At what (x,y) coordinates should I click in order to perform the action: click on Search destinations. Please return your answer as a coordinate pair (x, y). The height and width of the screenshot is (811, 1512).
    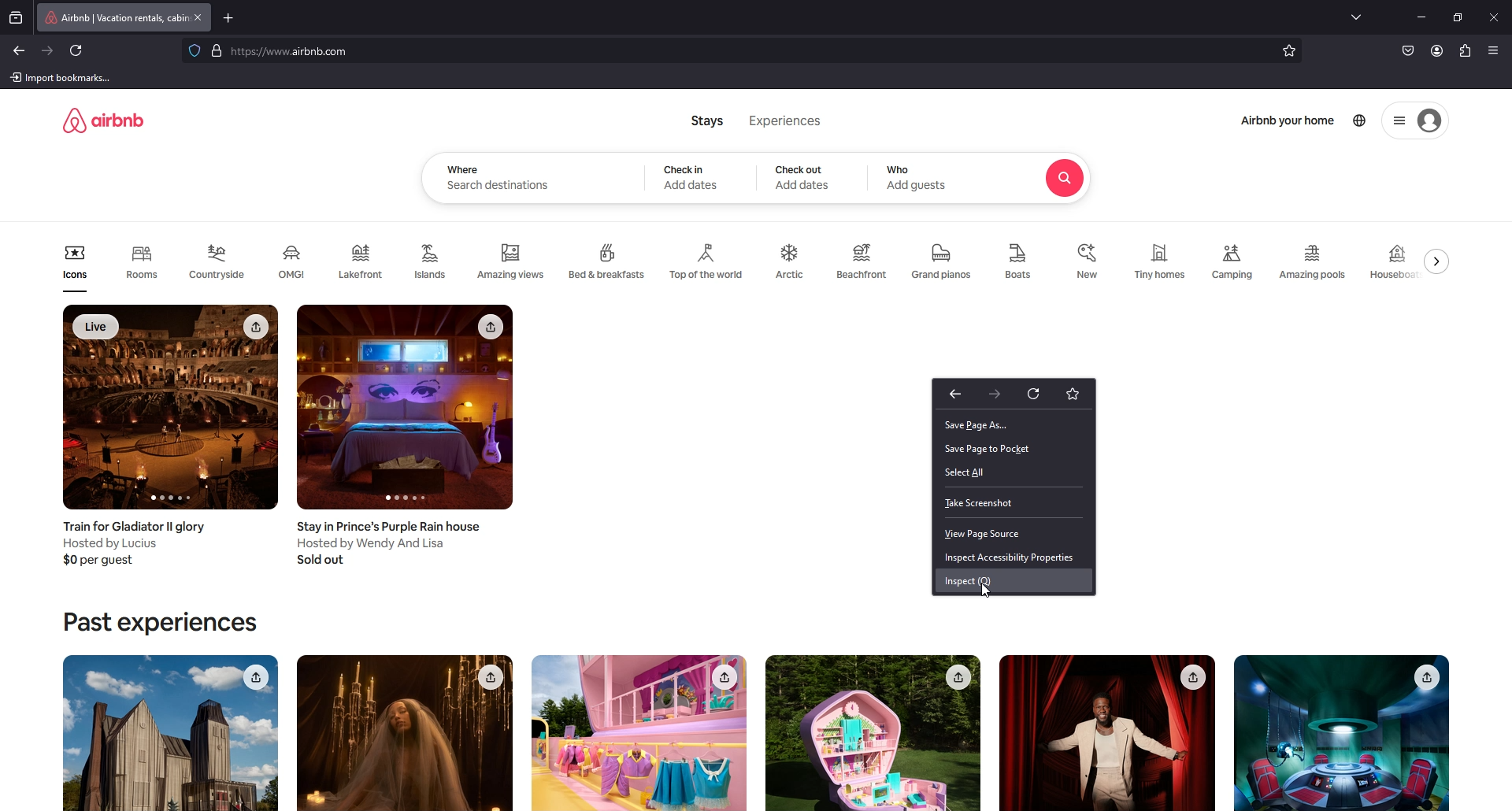
    Looking at the image, I should click on (500, 187).